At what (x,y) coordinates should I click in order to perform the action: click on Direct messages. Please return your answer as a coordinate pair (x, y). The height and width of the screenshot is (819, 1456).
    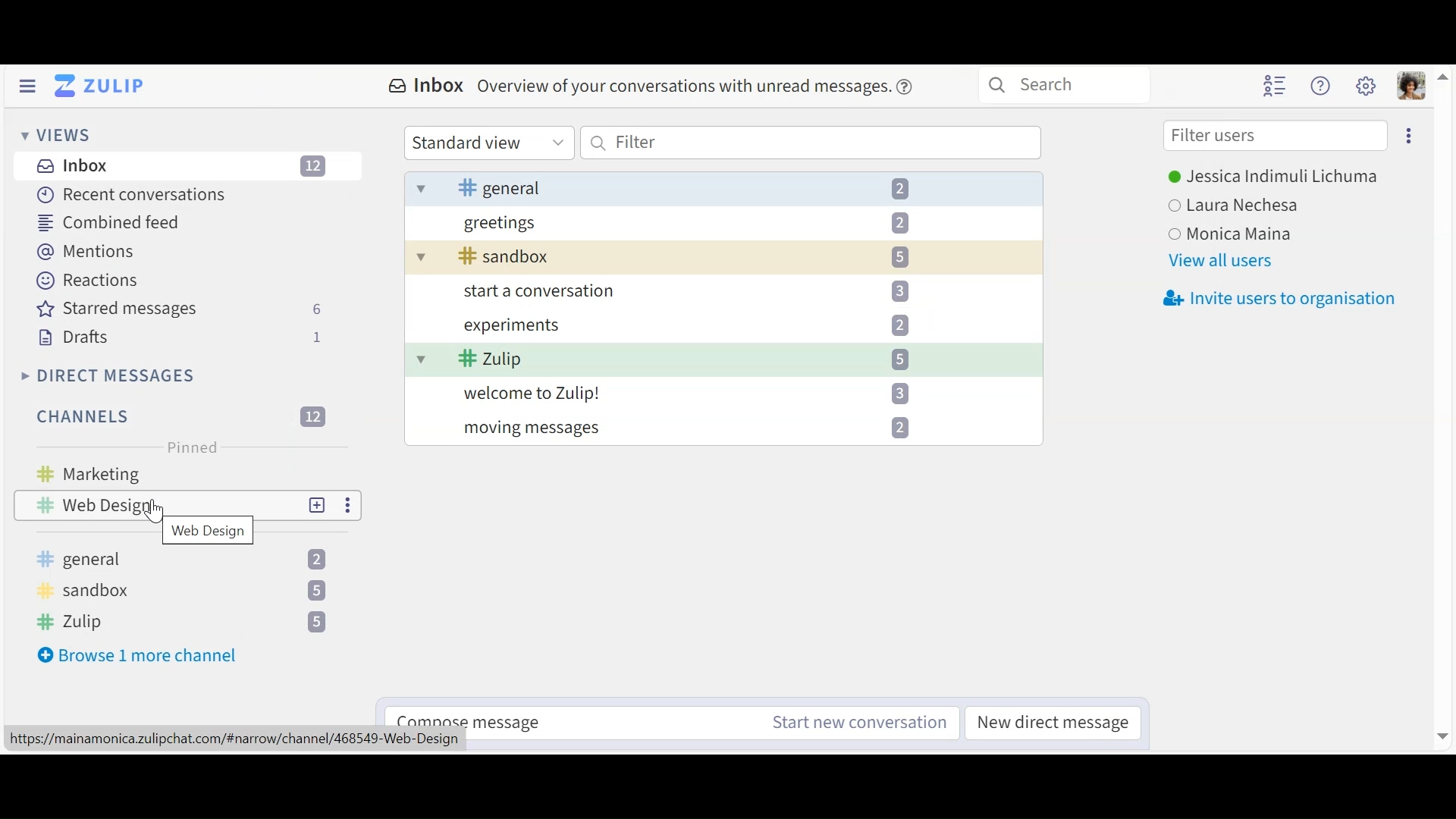
    Looking at the image, I should click on (108, 377).